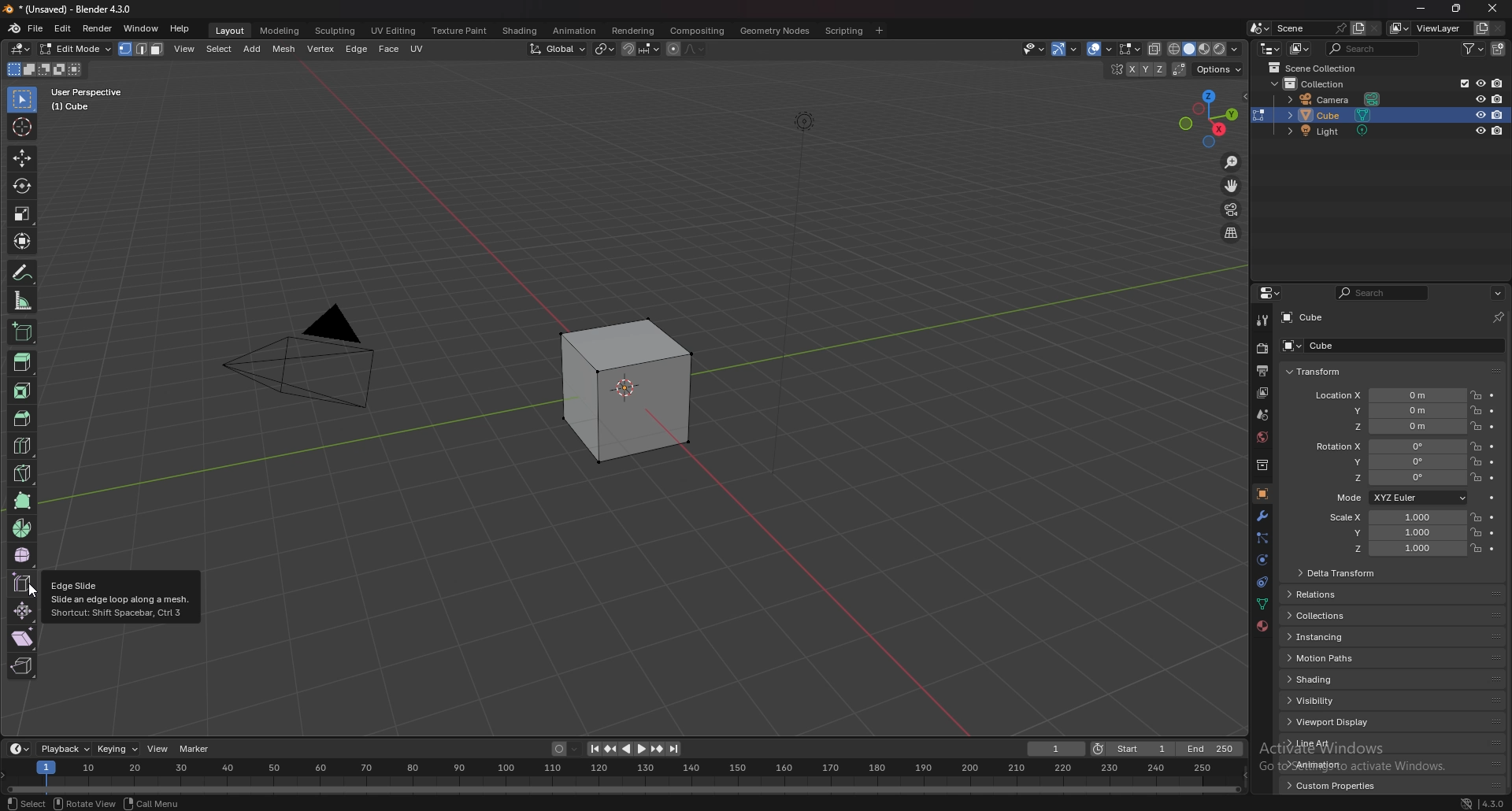 This screenshot has width=1512, height=811. I want to click on cube, so click(1303, 317).